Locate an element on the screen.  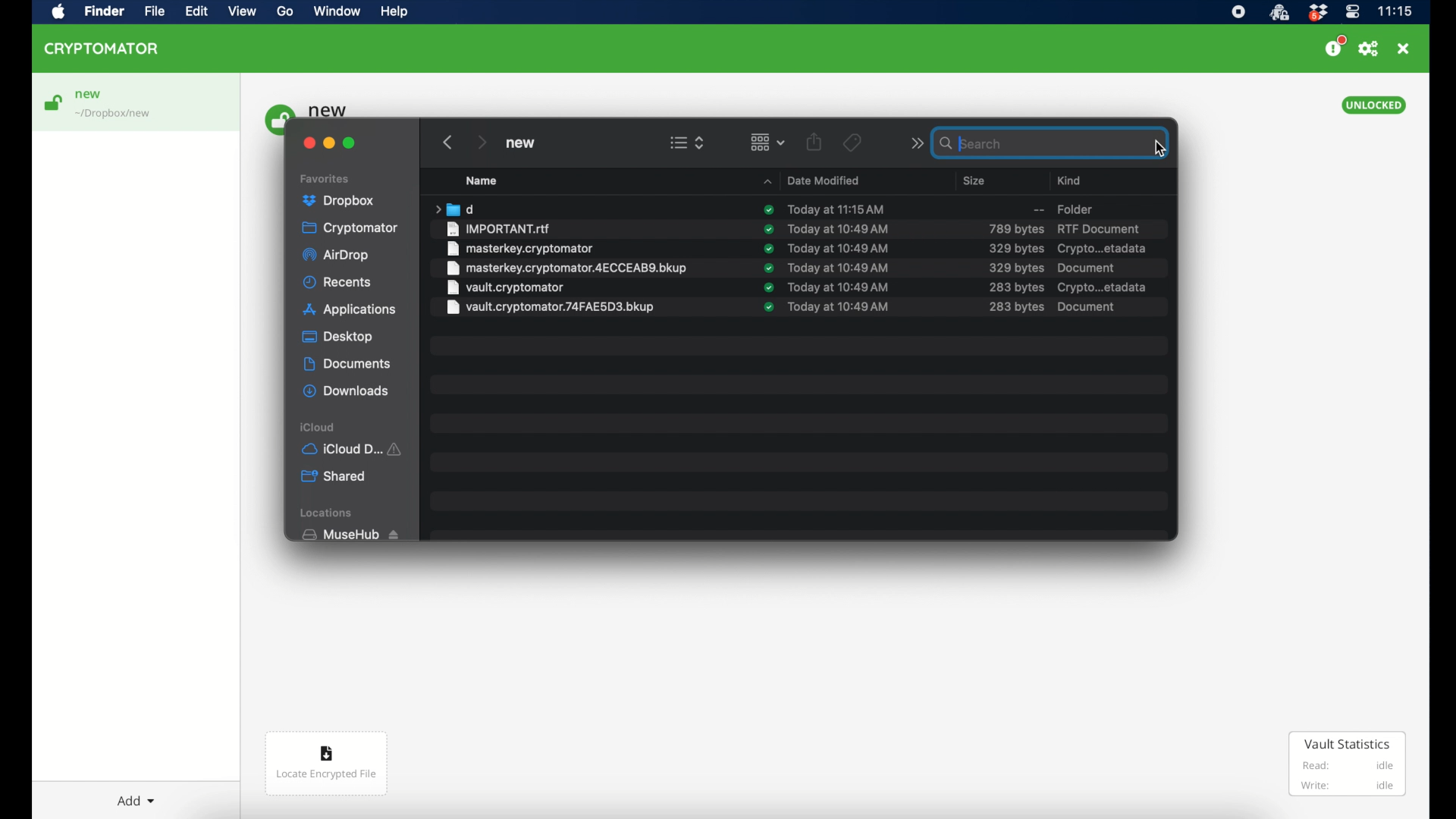
folder is located at coordinates (455, 208).